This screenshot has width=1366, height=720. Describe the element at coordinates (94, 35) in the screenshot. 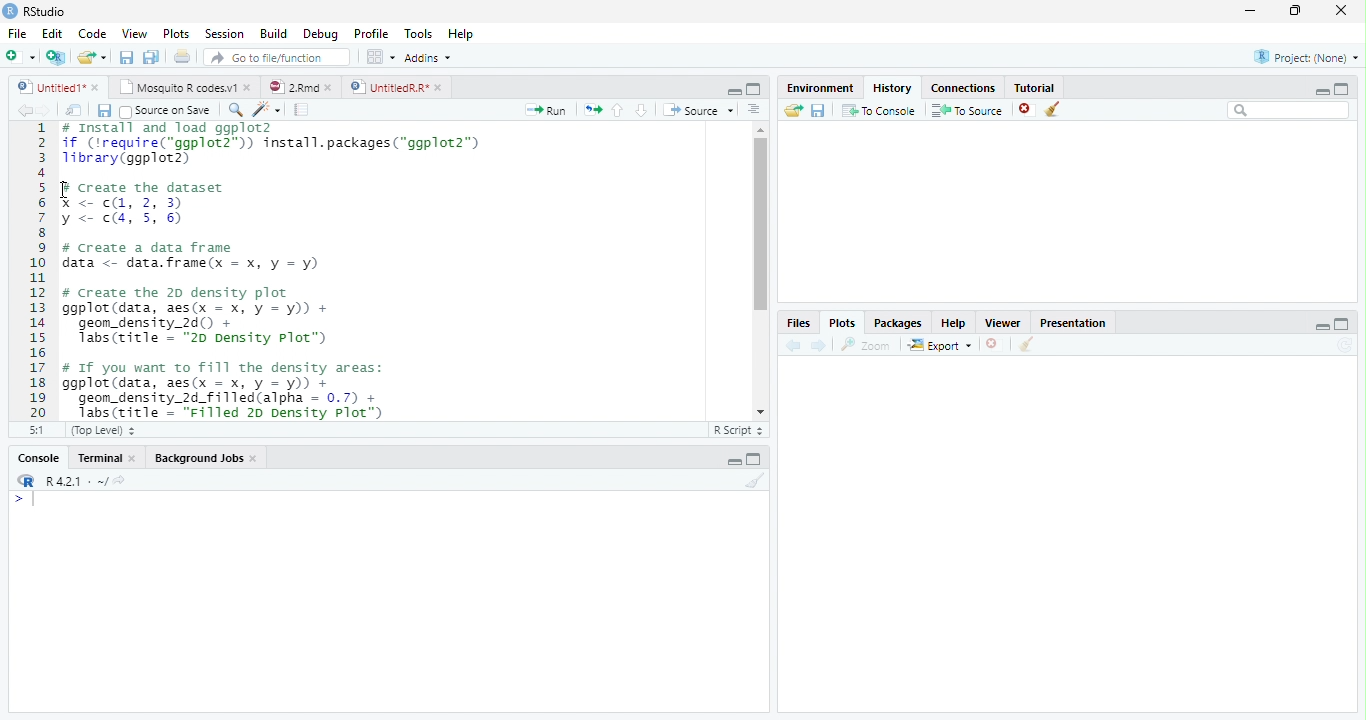

I see `Code` at that location.